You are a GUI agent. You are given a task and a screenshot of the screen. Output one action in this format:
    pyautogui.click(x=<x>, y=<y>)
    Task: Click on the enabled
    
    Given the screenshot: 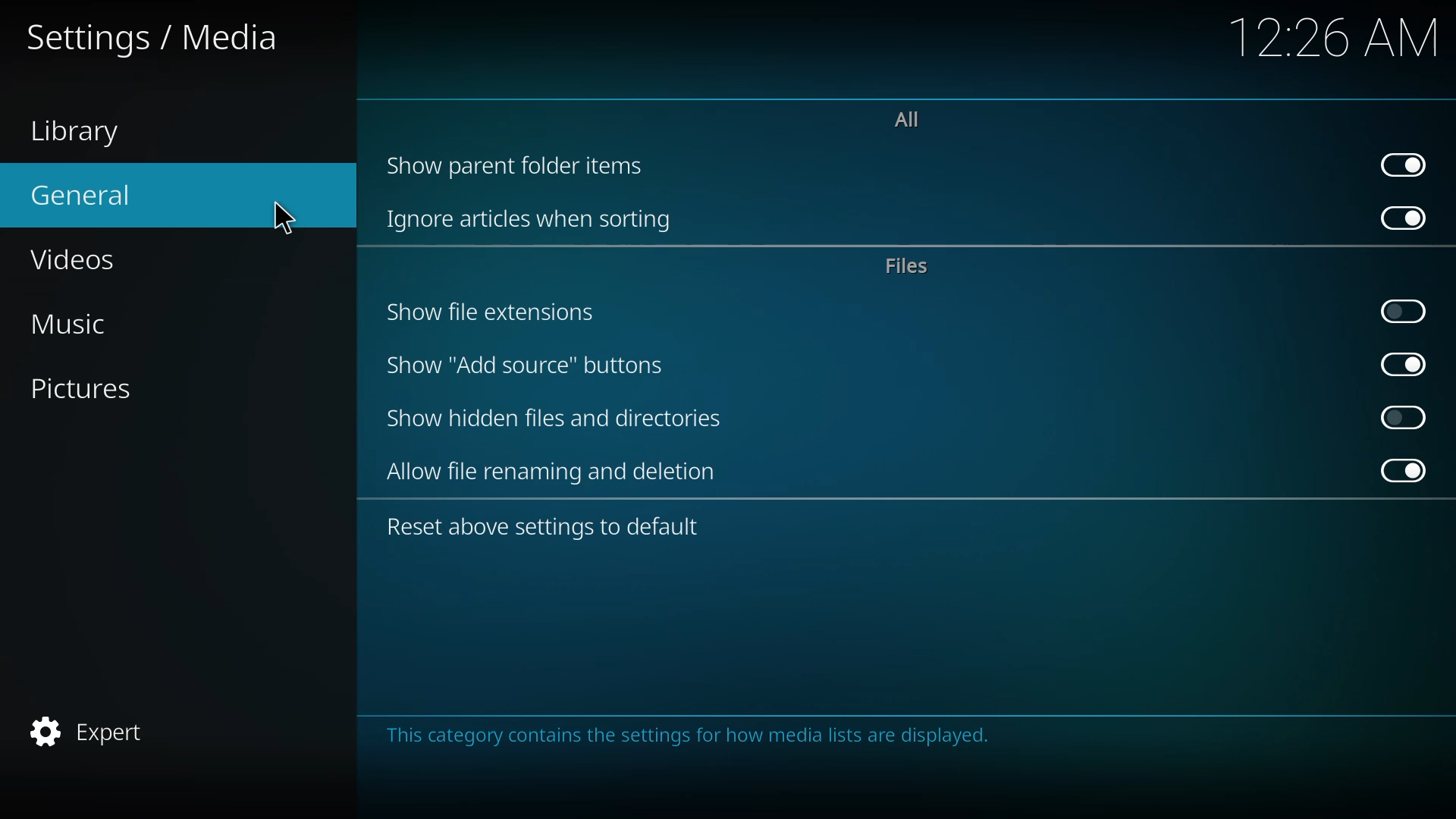 What is the action you would take?
    pyautogui.click(x=1407, y=472)
    